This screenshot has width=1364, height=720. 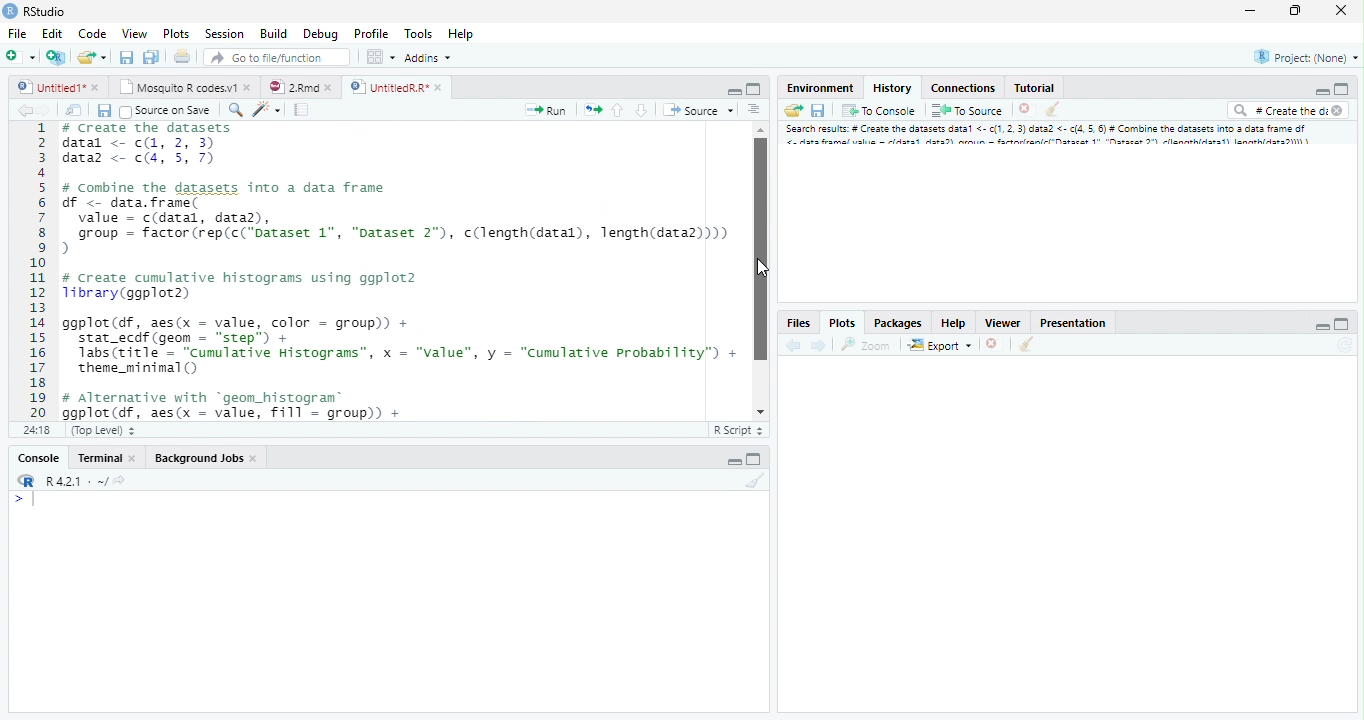 What do you see at coordinates (1025, 109) in the screenshot?
I see `Delete` at bounding box center [1025, 109].